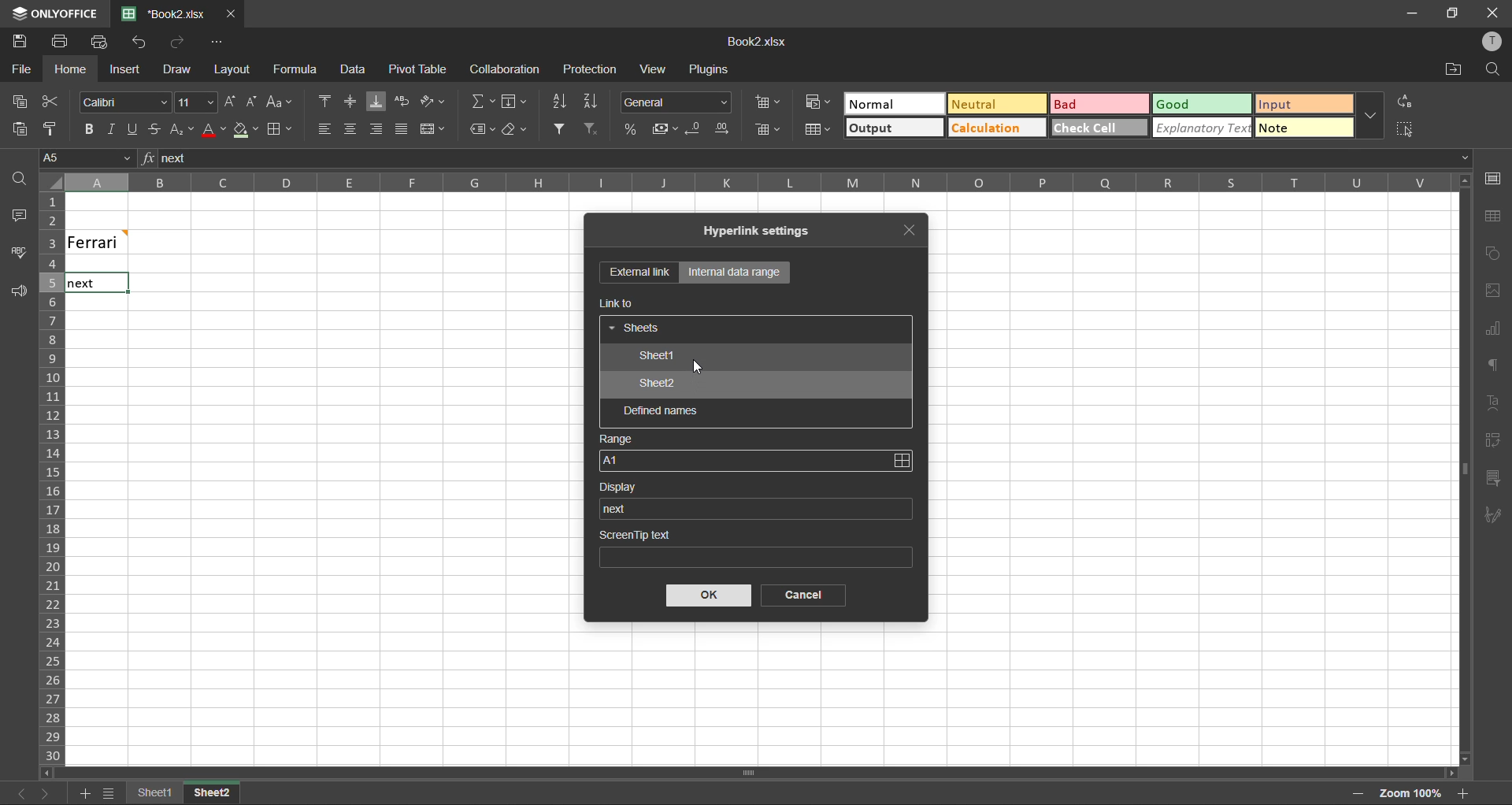 Image resolution: width=1512 pixels, height=805 pixels. Describe the element at coordinates (84, 793) in the screenshot. I see `add sheet` at that location.